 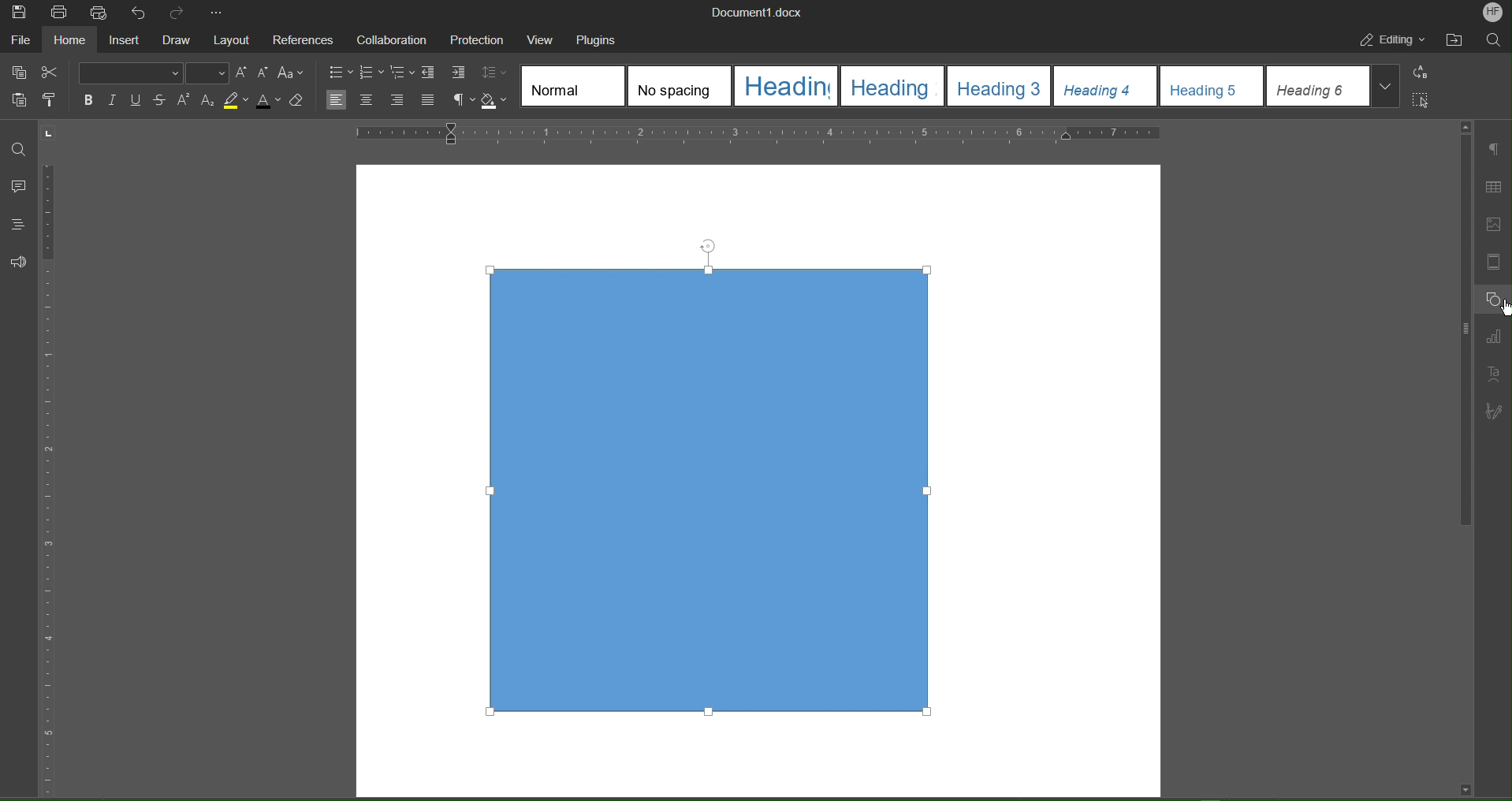 What do you see at coordinates (393, 39) in the screenshot?
I see `Collaboration` at bounding box center [393, 39].